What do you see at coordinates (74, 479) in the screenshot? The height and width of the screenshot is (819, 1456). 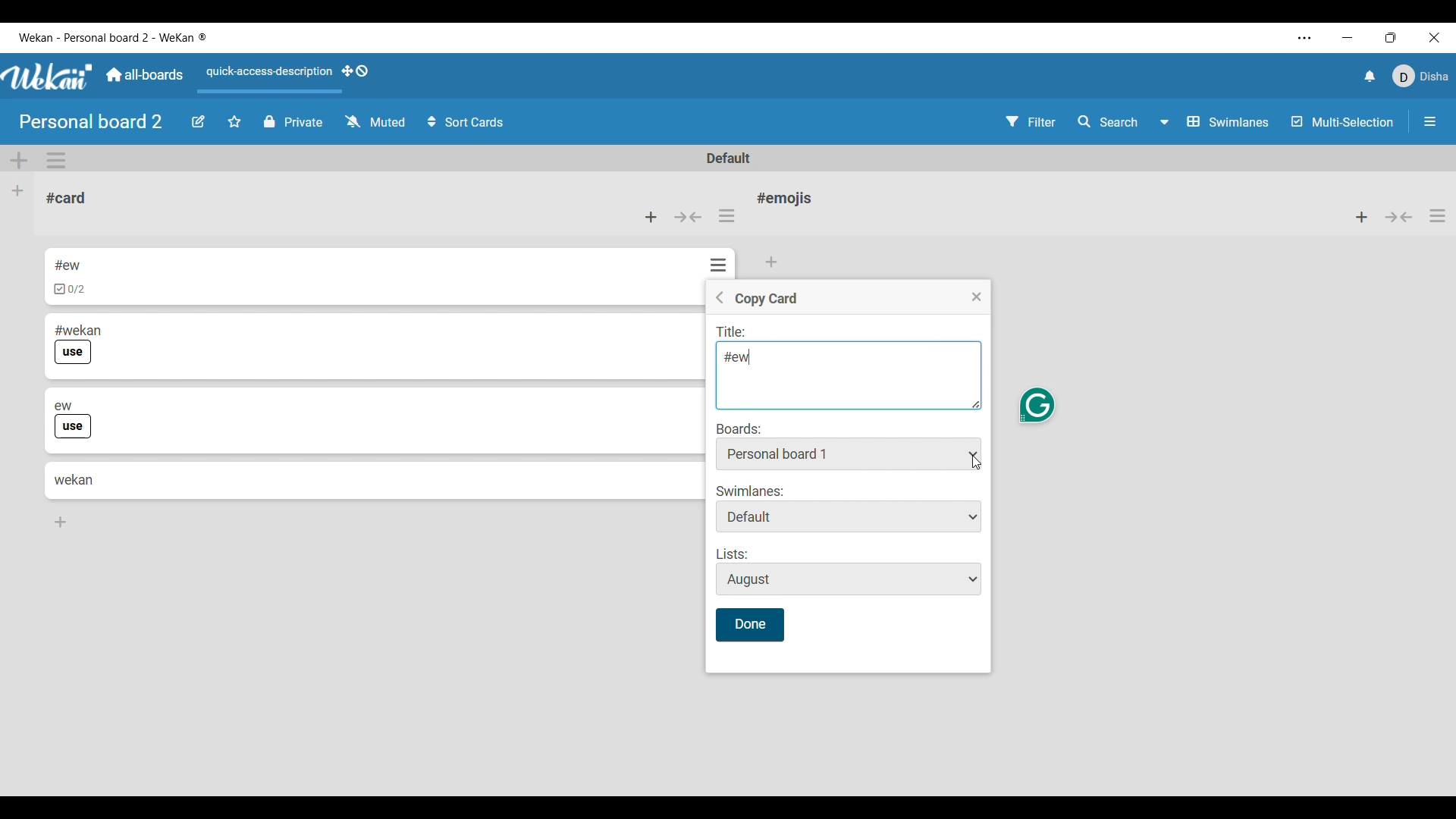 I see `Card 4` at bounding box center [74, 479].